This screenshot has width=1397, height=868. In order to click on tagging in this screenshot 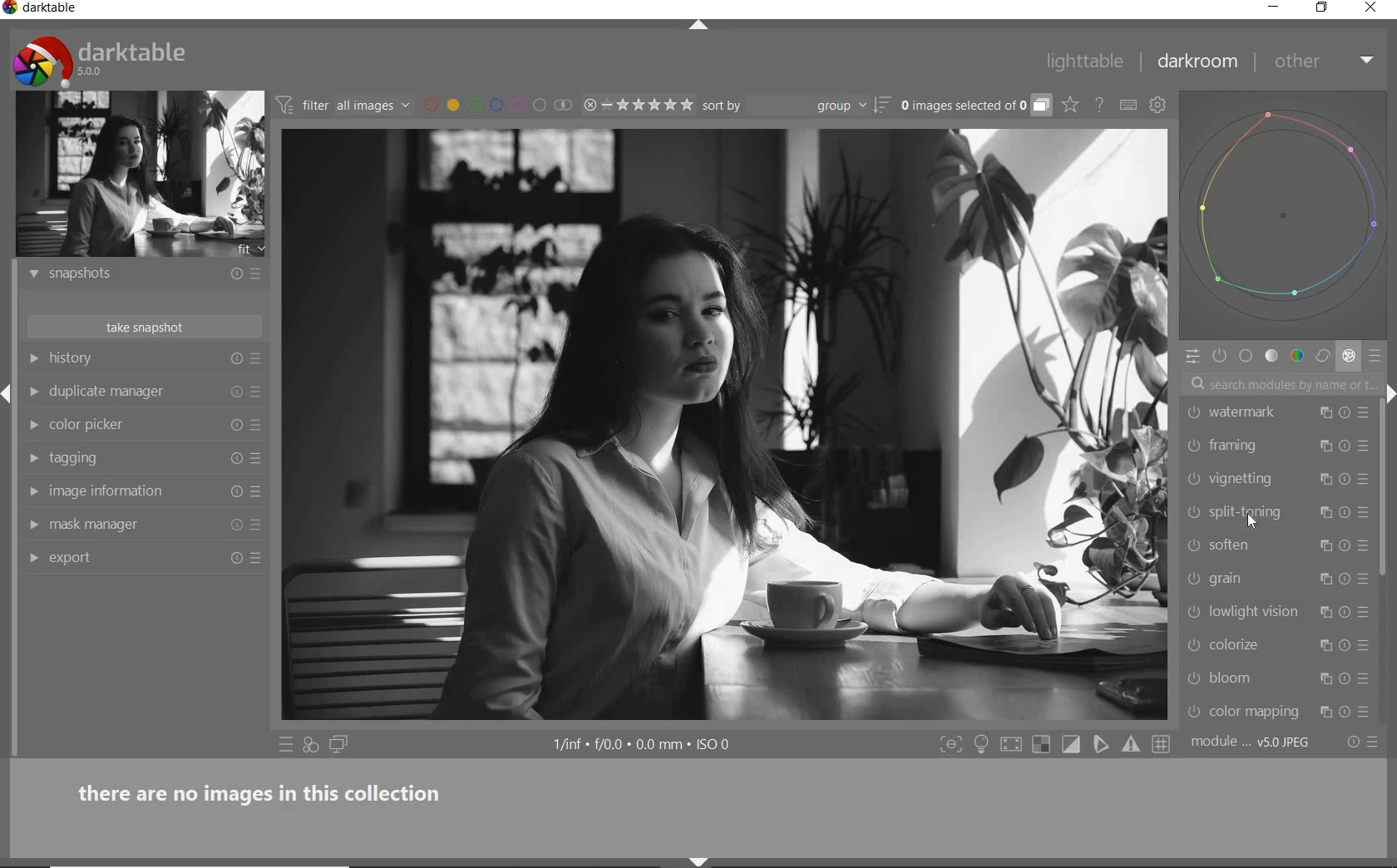, I will do `click(131, 458)`.